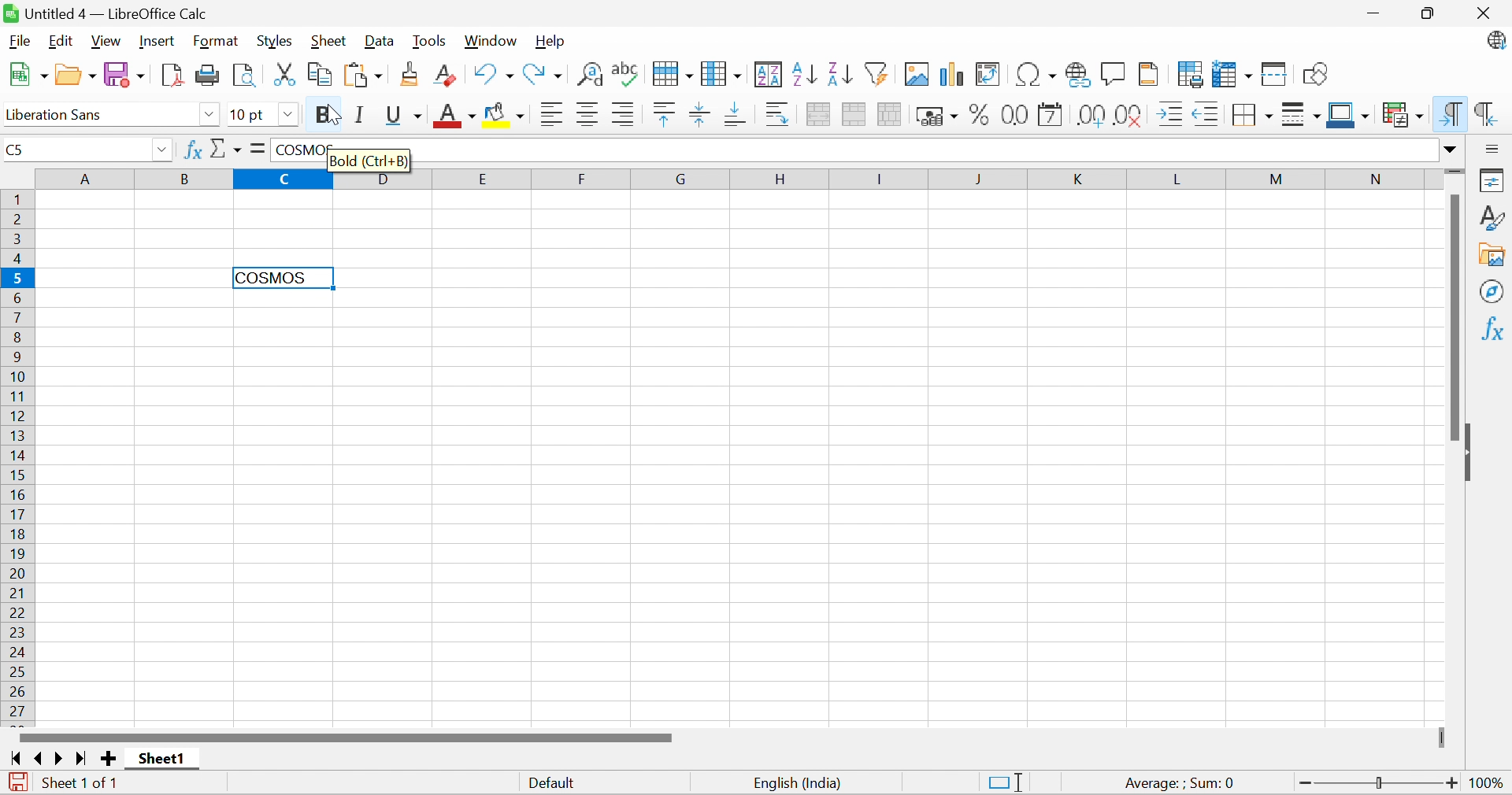 The image size is (1512, 795). What do you see at coordinates (1454, 782) in the screenshot?
I see `Zoom In` at bounding box center [1454, 782].